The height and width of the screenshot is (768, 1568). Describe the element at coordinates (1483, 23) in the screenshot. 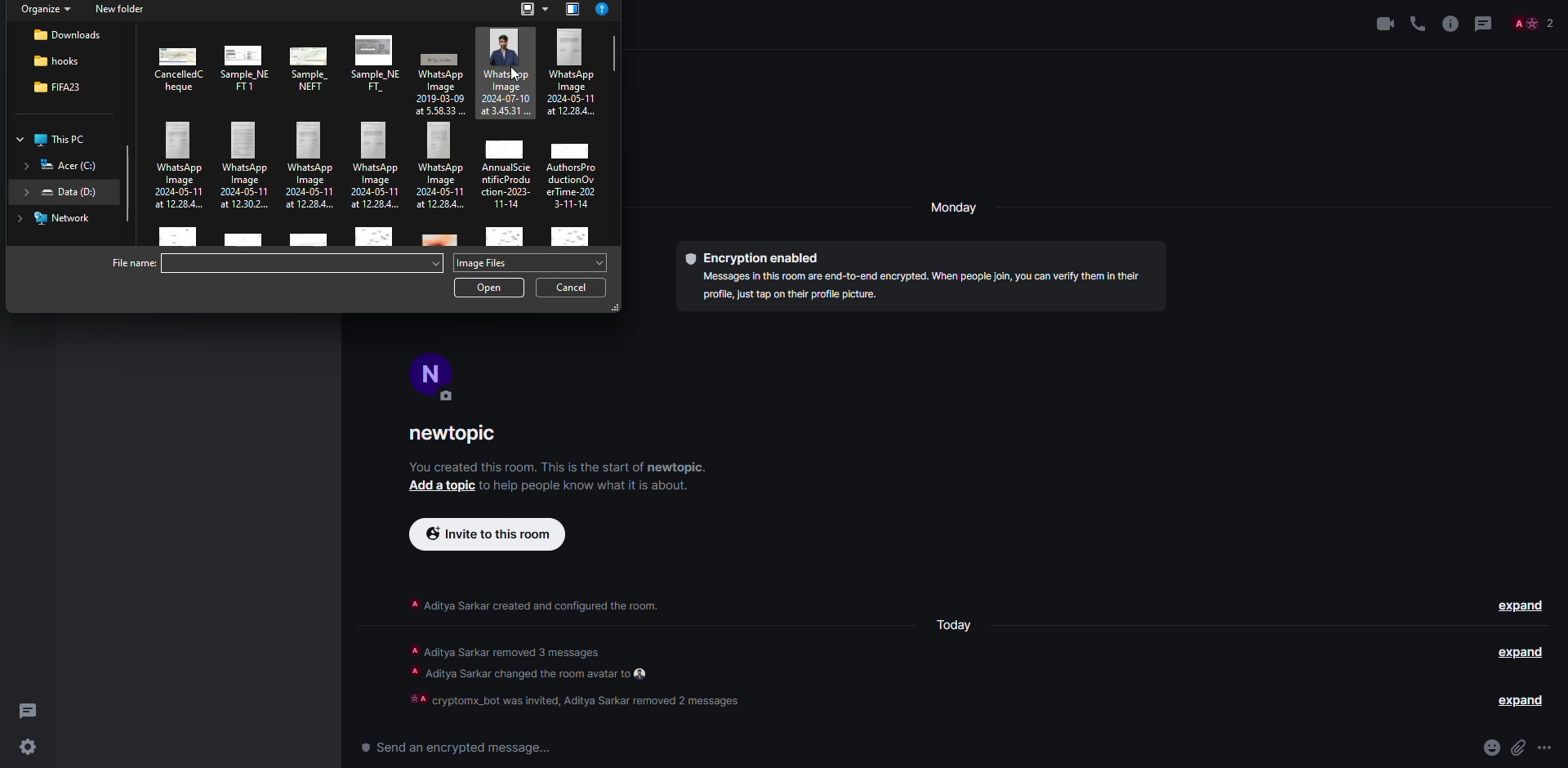

I see `threads` at that location.